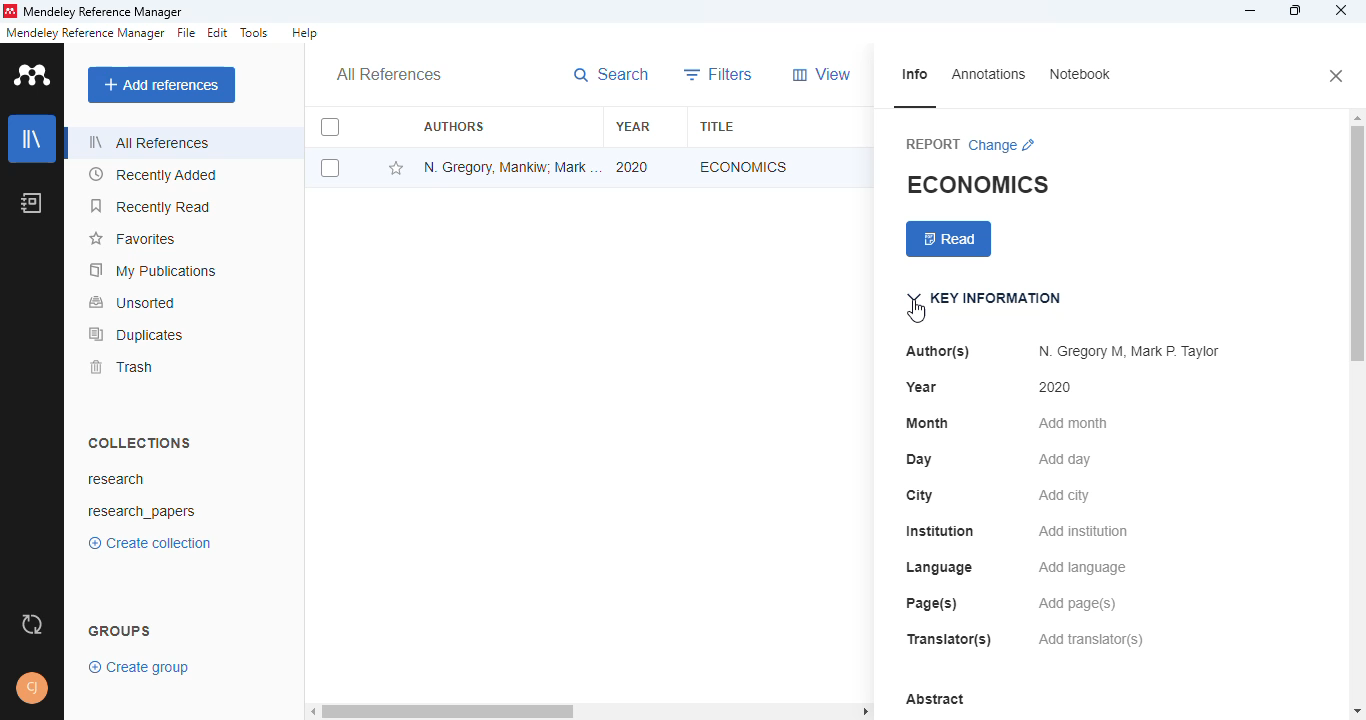 Image resolution: width=1366 pixels, height=720 pixels. Describe the element at coordinates (10, 11) in the screenshot. I see `logo` at that location.